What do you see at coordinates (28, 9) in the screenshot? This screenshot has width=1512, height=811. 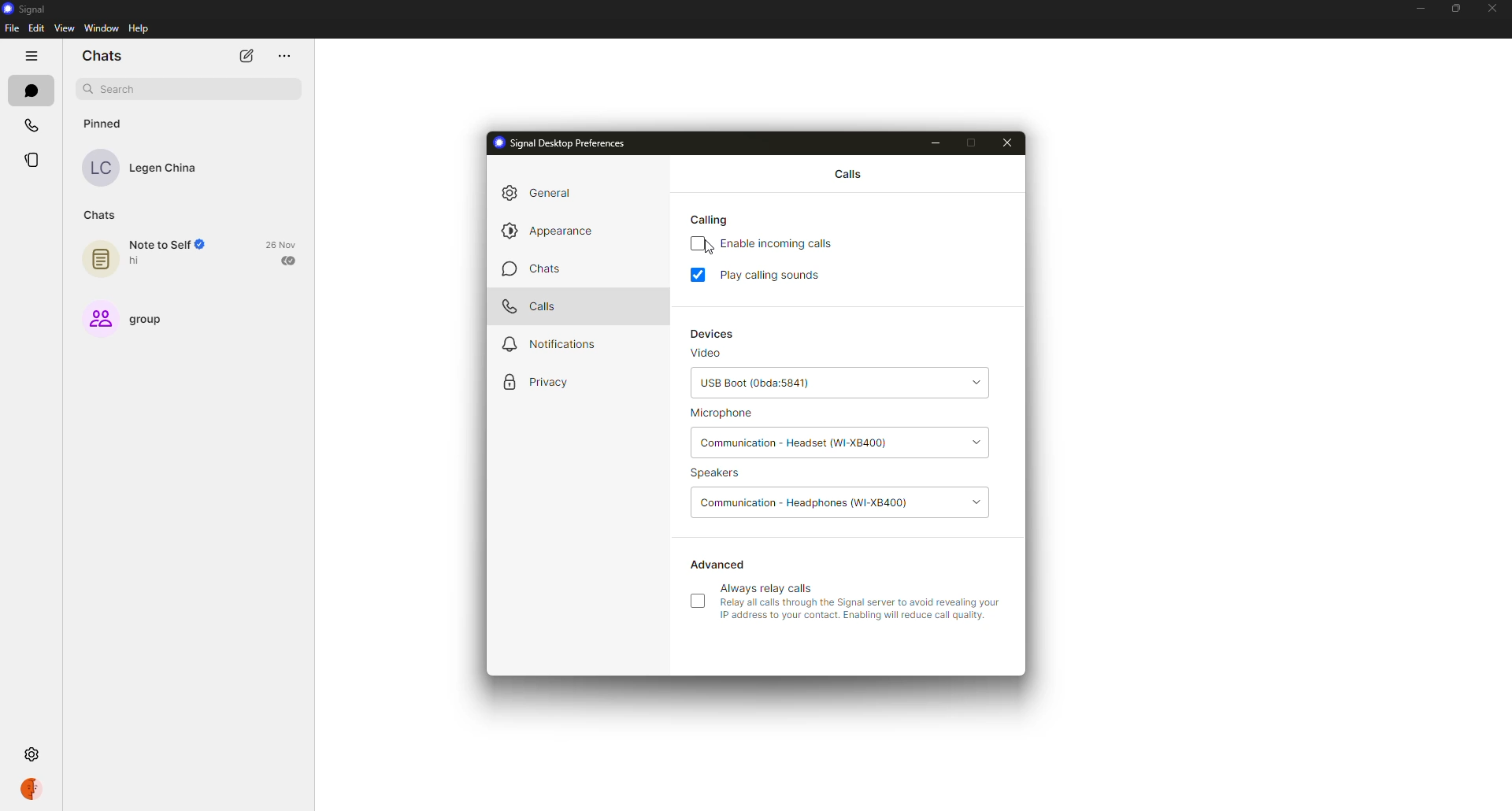 I see `signal` at bounding box center [28, 9].